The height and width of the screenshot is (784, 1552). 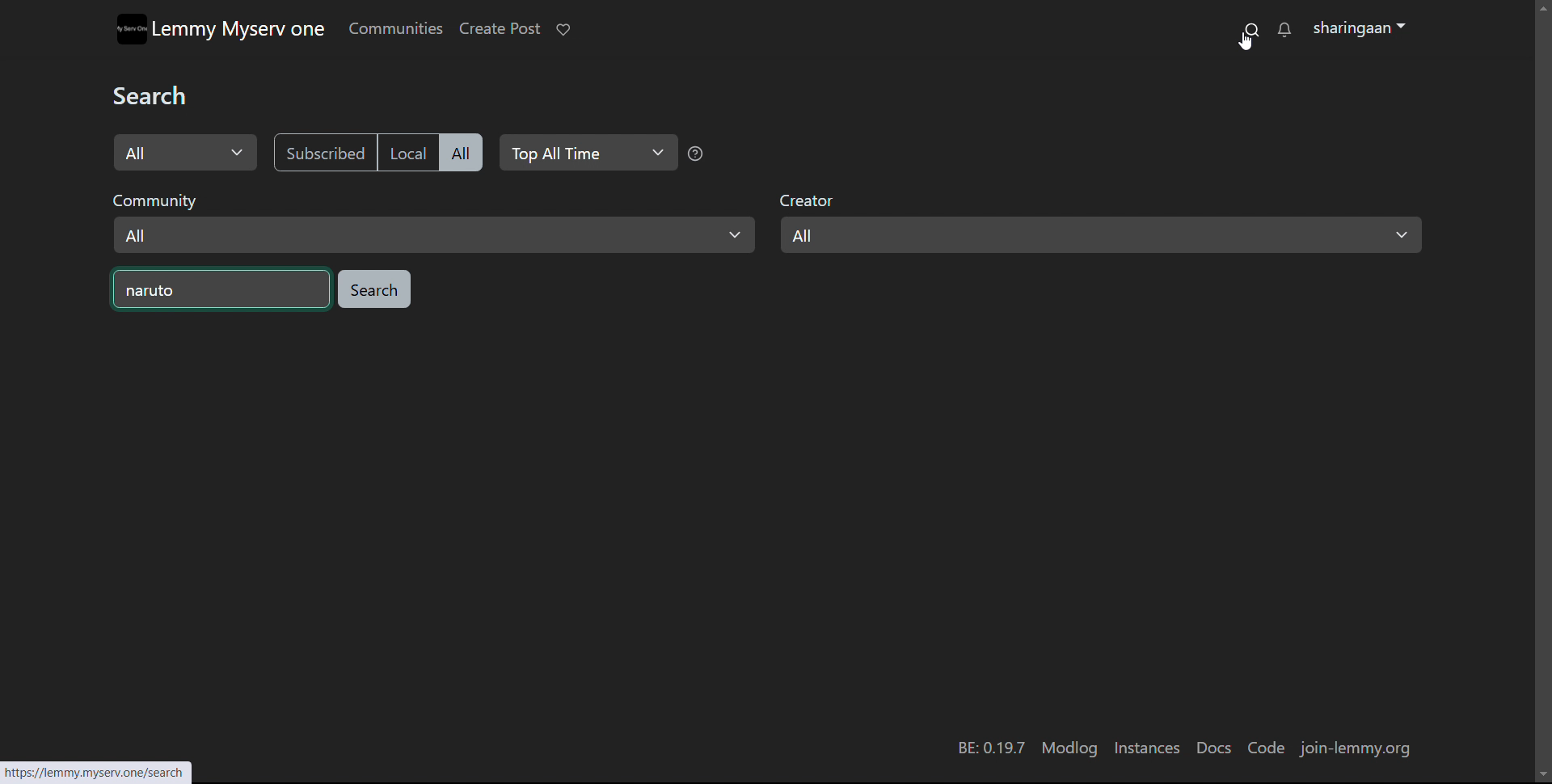 What do you see at coordinates (432, 221) in the screenshot?
I see `select community` at bounding box center [432, 221].